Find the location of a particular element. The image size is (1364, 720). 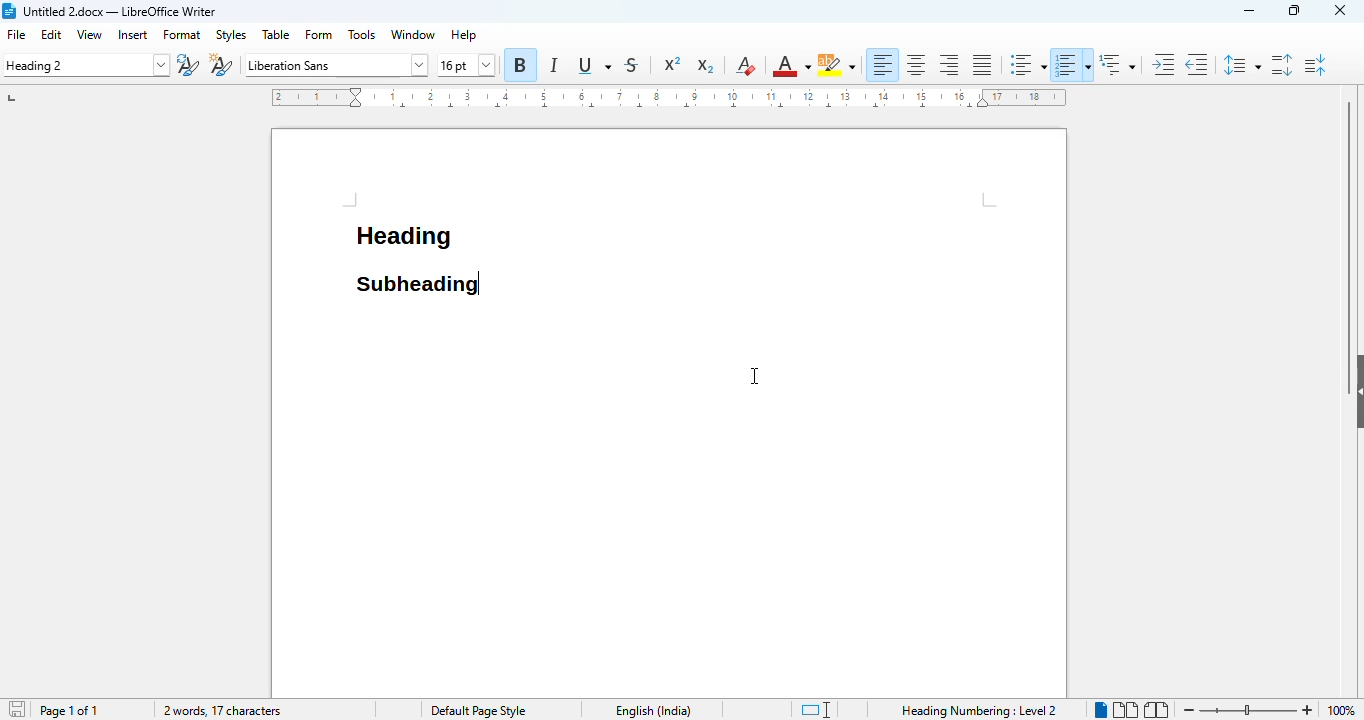

decrease paragraph spacing is located at coordinates (1316, 65).